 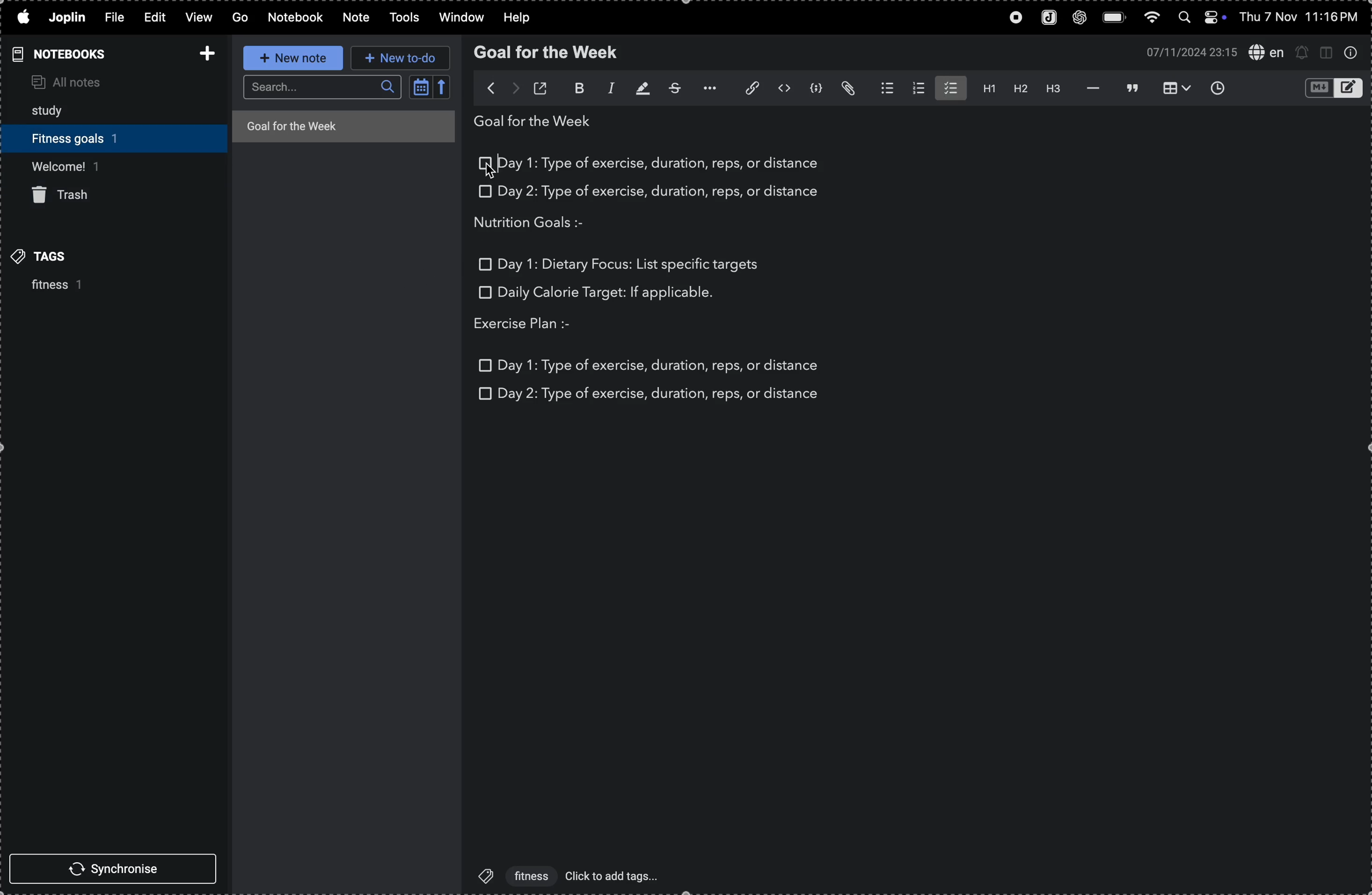 What do you see at coordinates (849, 89) in the screenshot?
I see `attach file` at bounding box center [849, 89].